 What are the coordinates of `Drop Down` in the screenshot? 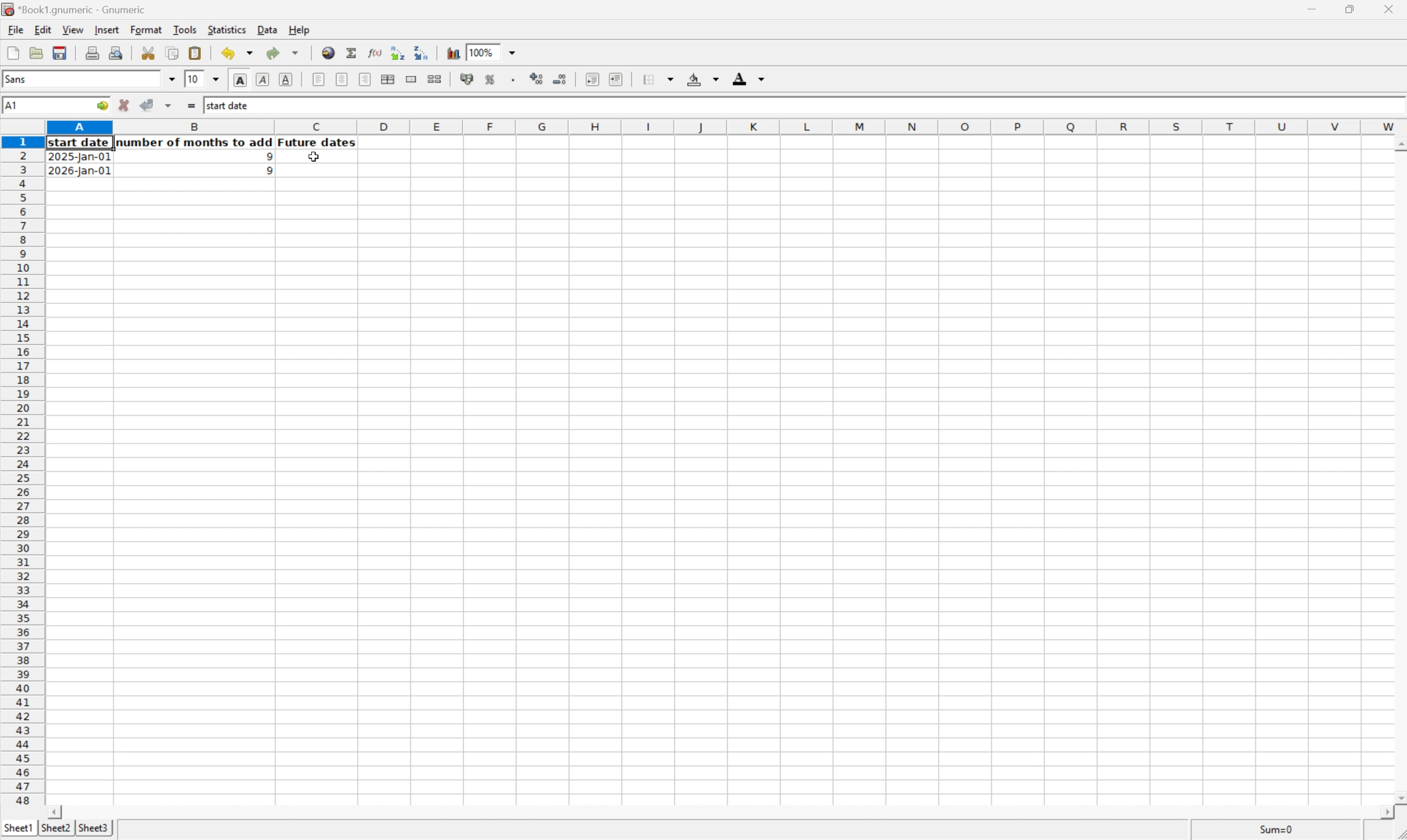 It's located at (216, 80).